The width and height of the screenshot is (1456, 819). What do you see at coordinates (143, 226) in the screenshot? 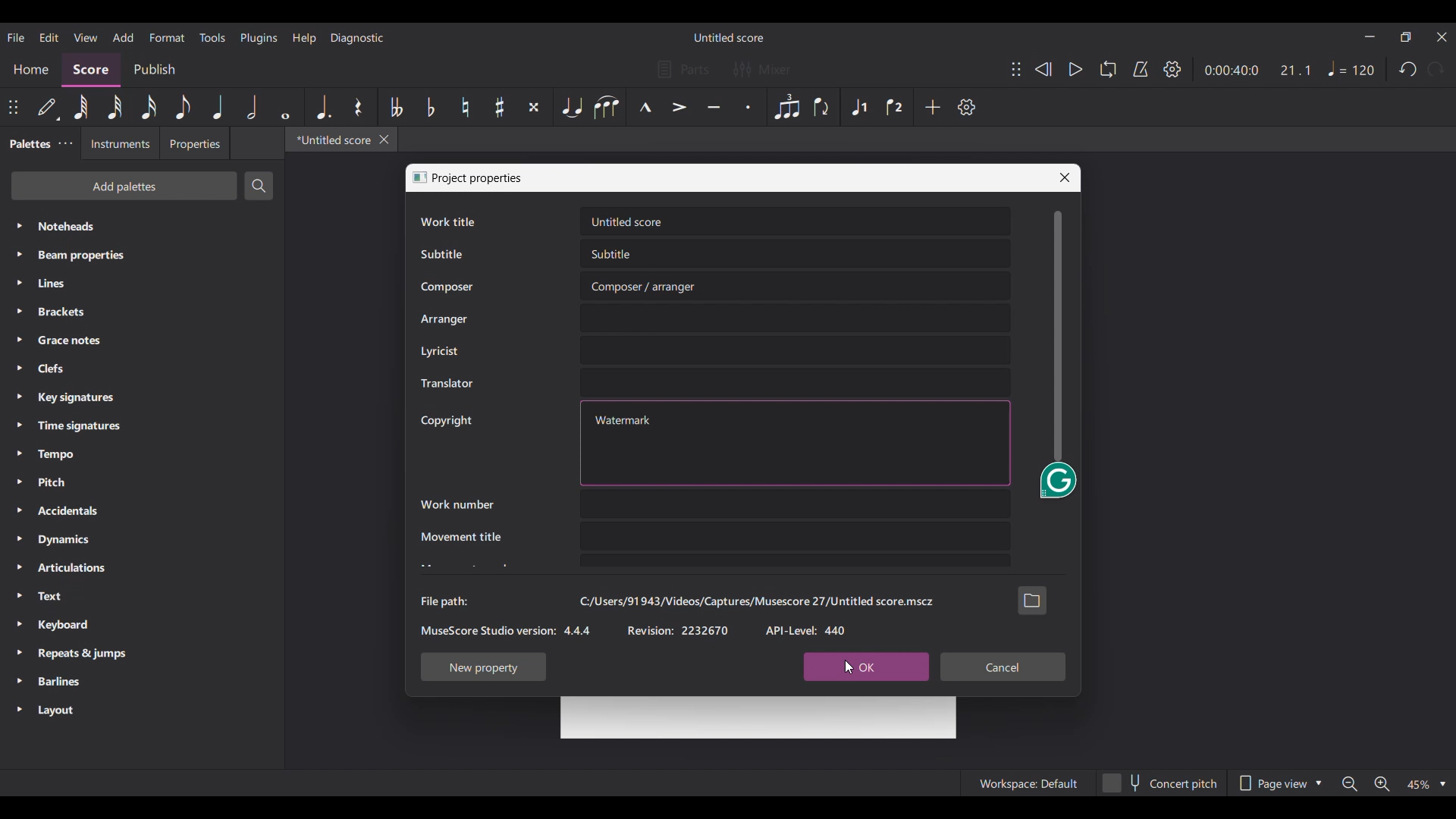
I see `Noteheads` at bounding box center [143, 226].